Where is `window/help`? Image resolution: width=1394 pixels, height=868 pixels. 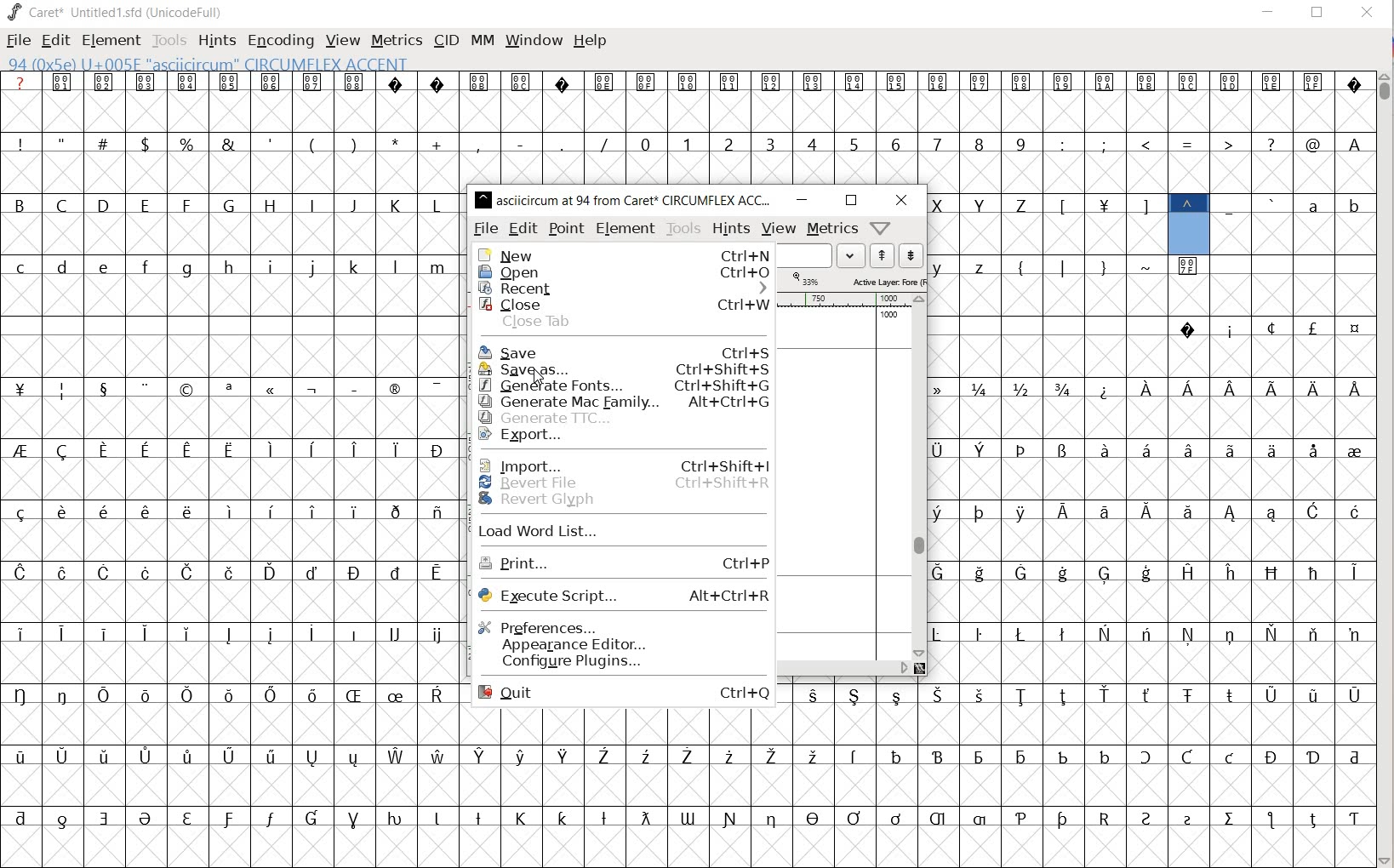 window/help is located at coordinates (878, 227).